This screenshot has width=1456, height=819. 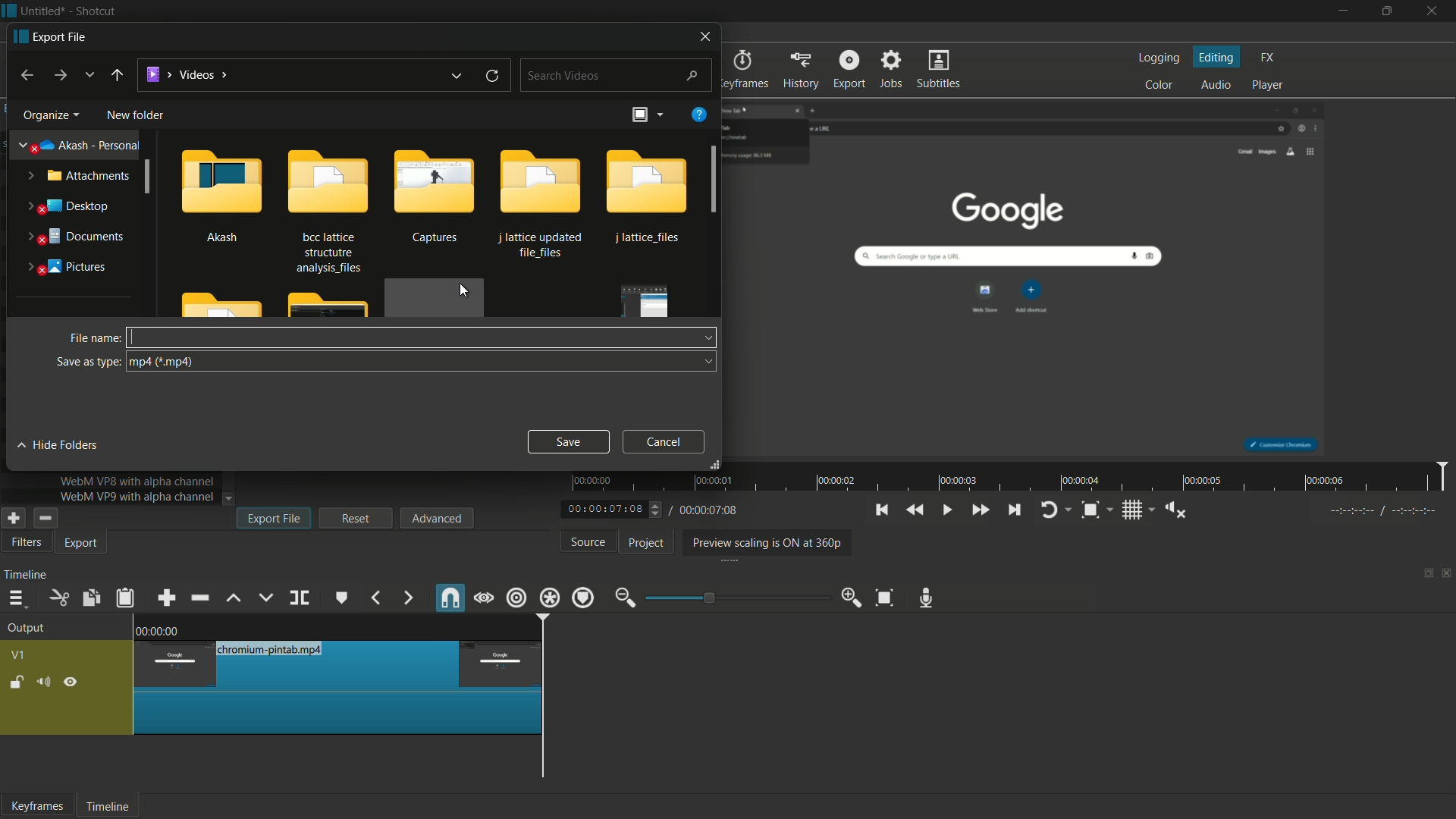 I want to click on change layout, so click(x=1423, y=577).